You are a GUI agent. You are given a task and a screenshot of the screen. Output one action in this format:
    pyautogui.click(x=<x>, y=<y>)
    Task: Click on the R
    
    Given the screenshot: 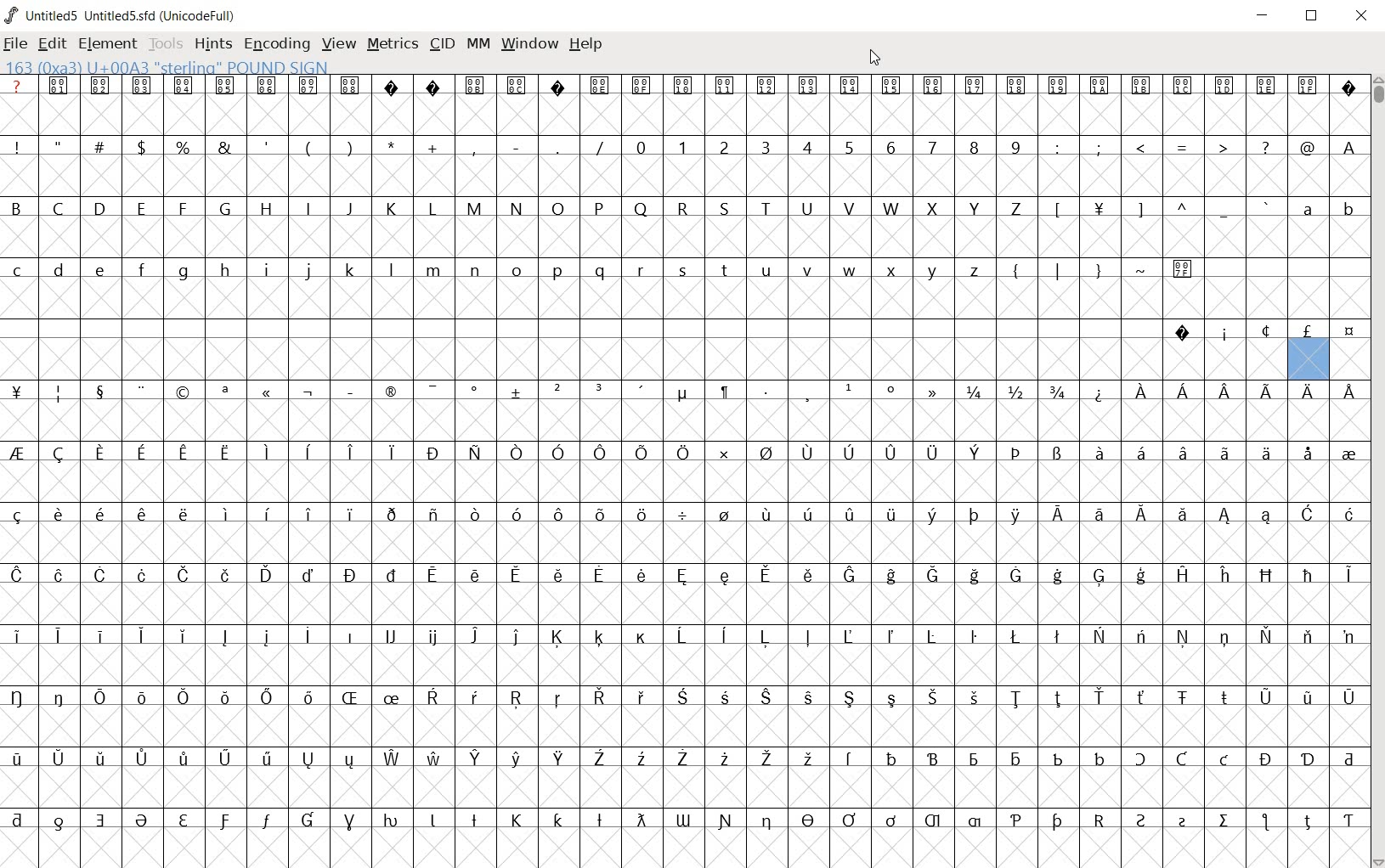 What is the action you would take?
    pyautogui.click(x=685, y=208)
    